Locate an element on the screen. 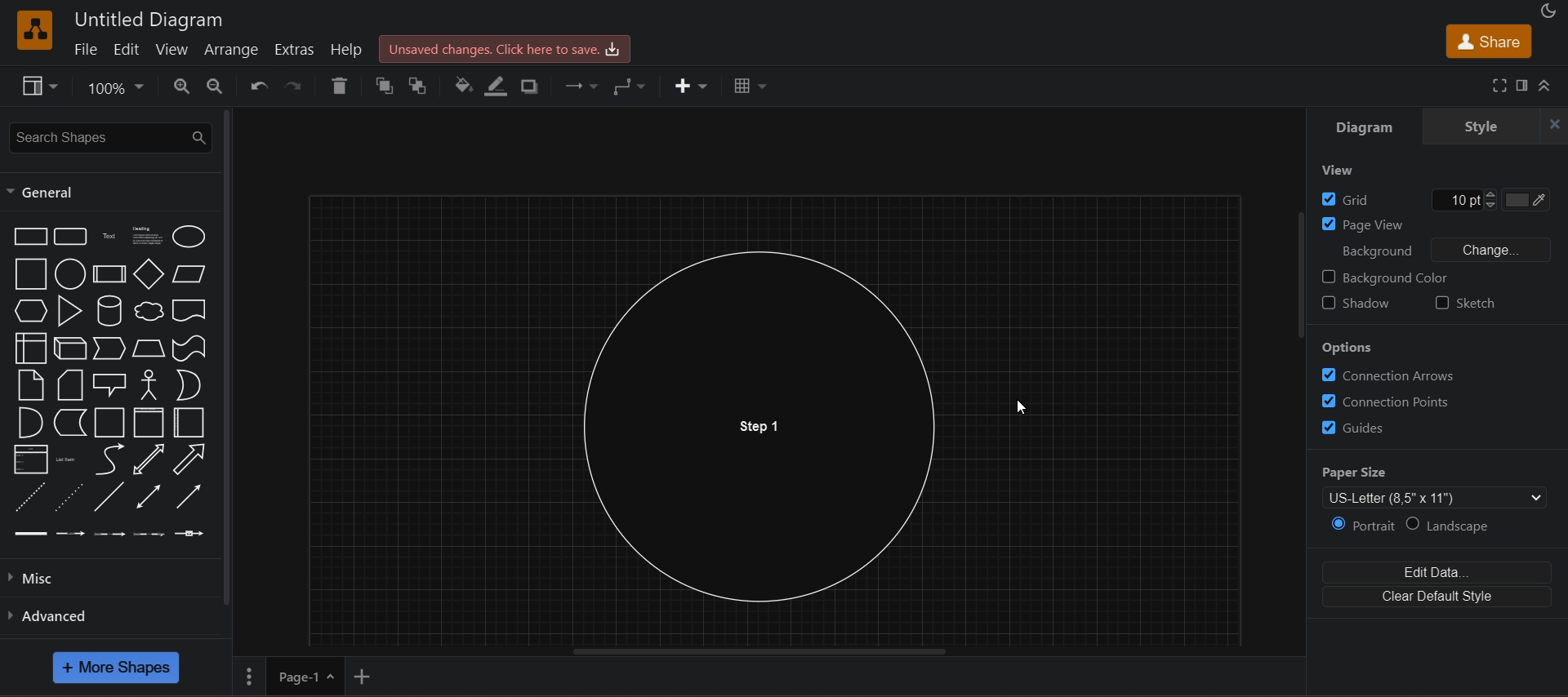  10 pt is located at coordinates (1494, 199).